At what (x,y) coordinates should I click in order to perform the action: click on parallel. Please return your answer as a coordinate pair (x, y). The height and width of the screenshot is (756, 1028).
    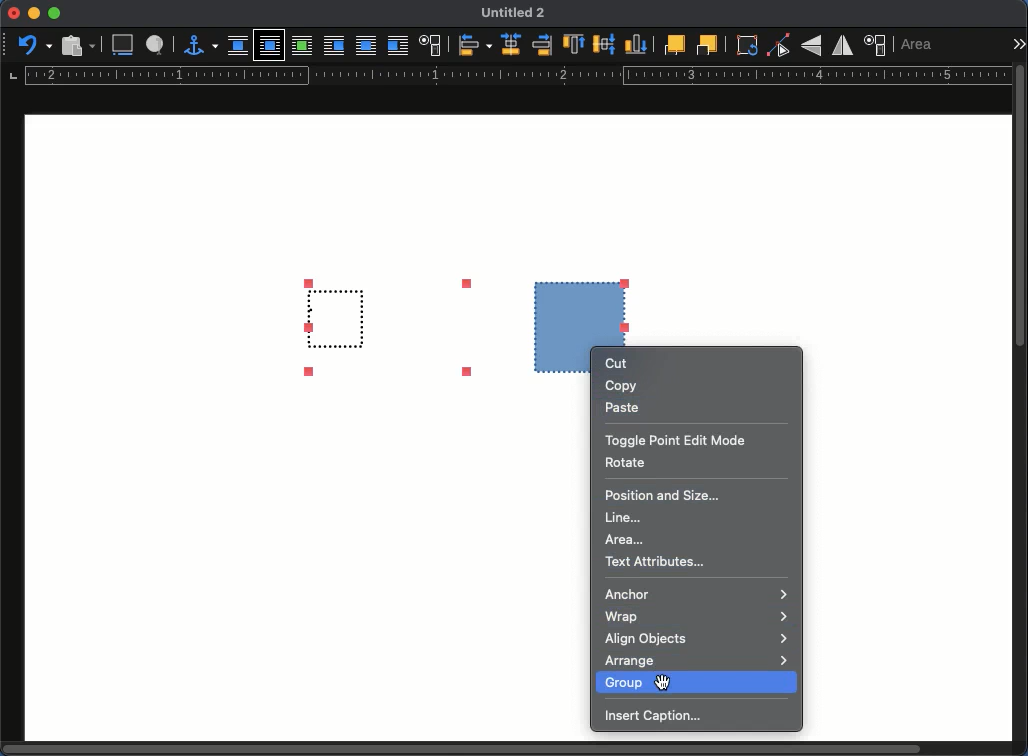
    Looking at the image, I should click on (270, 47).